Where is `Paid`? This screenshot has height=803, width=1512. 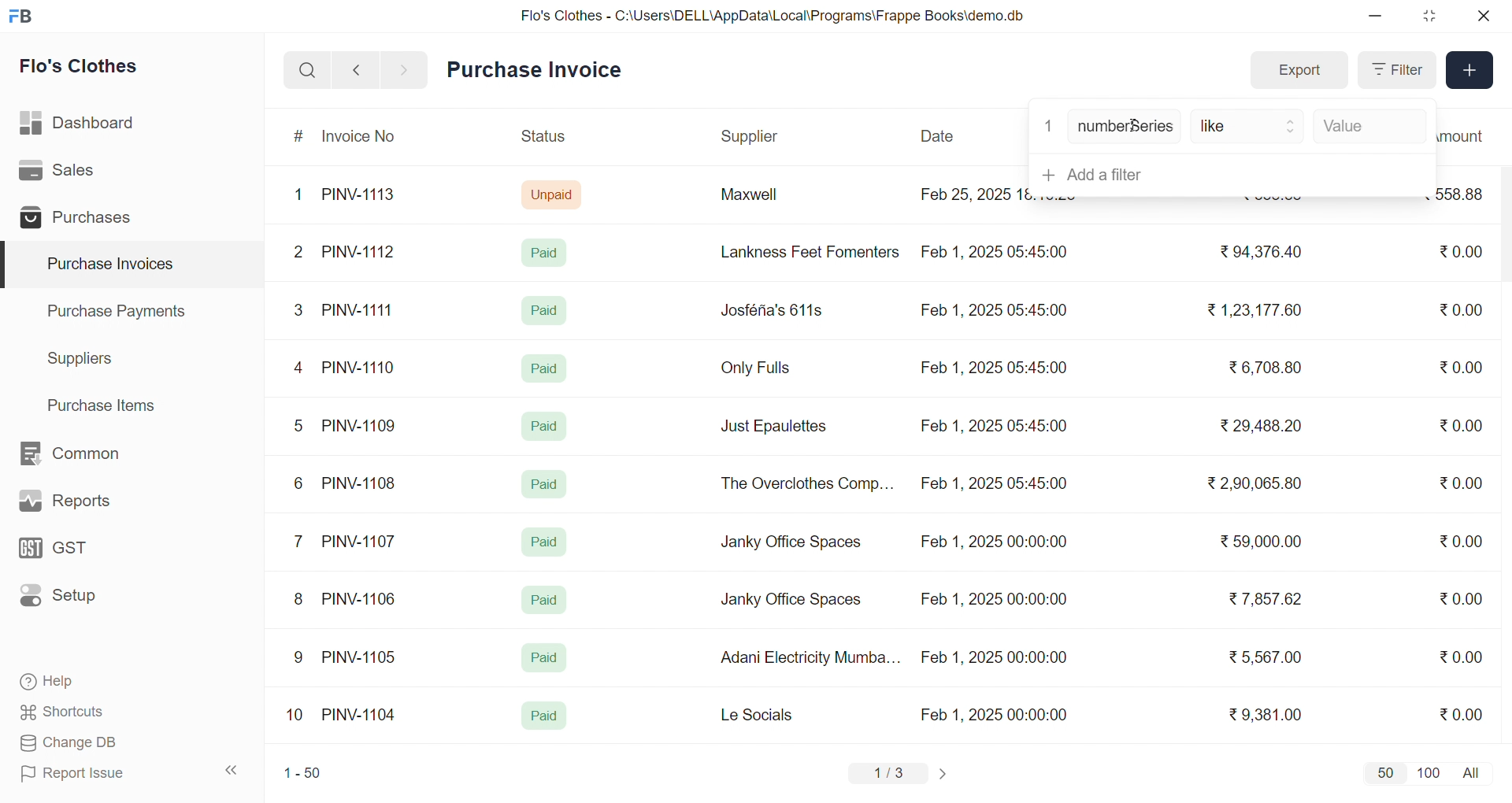
Paid is located at coordinates (545, 542).